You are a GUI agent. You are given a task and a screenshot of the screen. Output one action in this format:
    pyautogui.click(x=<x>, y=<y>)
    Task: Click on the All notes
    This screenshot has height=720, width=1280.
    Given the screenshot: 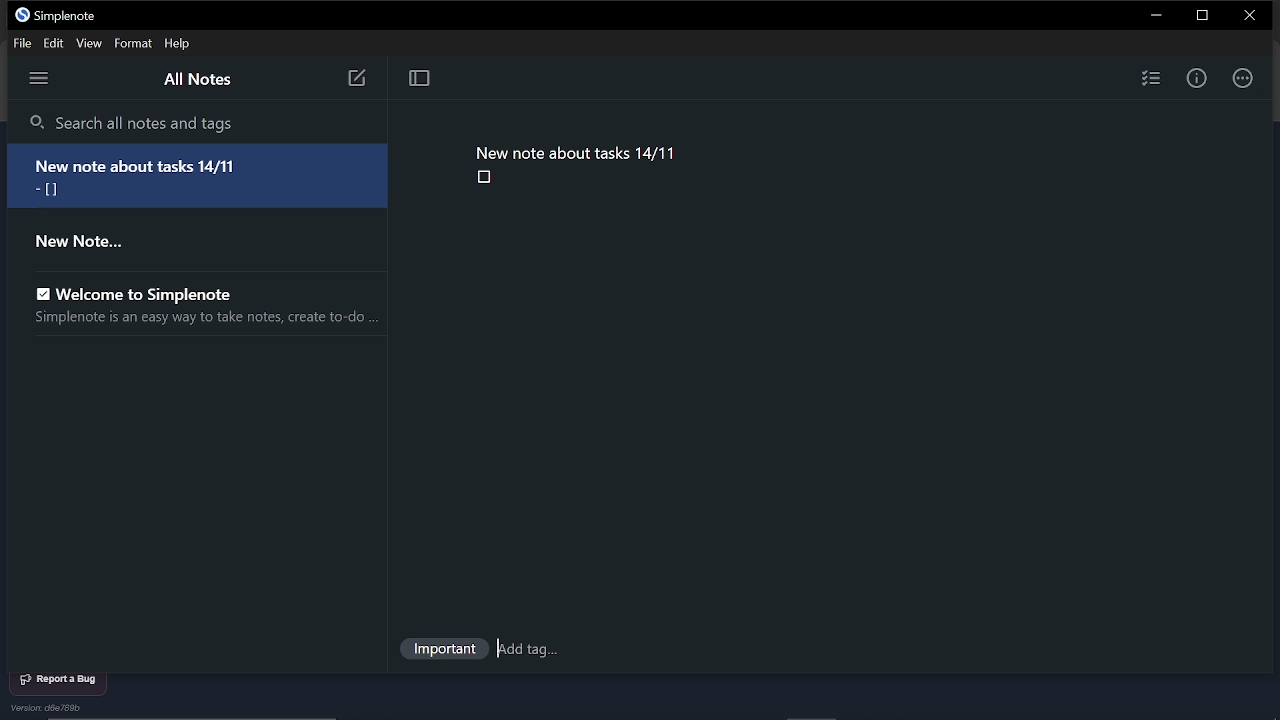 What is the action you would take?
    pyautogui.click(x=202, y=80)
    